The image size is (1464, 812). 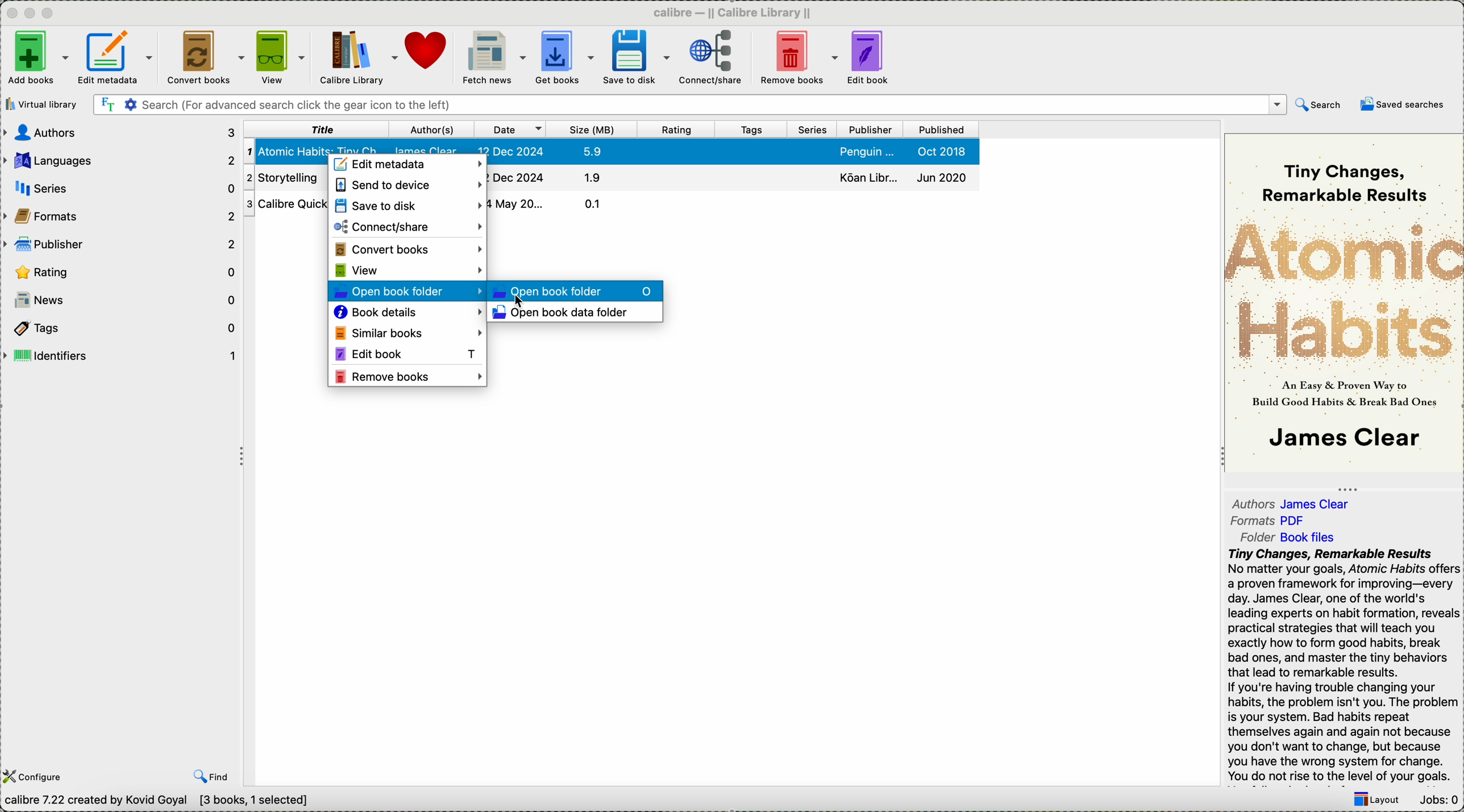 What do you see at coordinates (44, 104) in the screenshot?
I see `virtual library` at bounding box center [44, 104].